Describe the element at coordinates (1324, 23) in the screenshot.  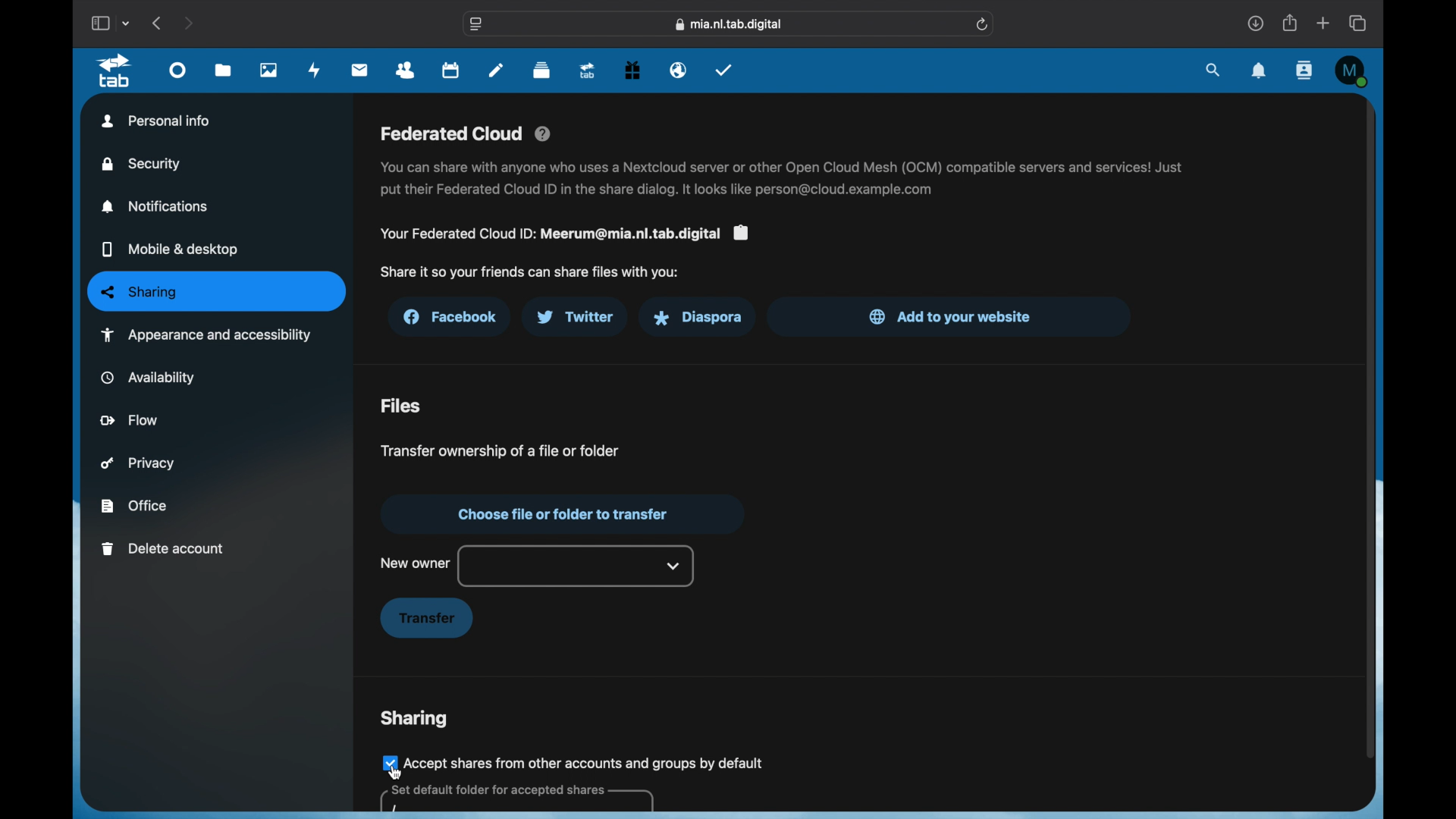
I see `new tab` at that location.